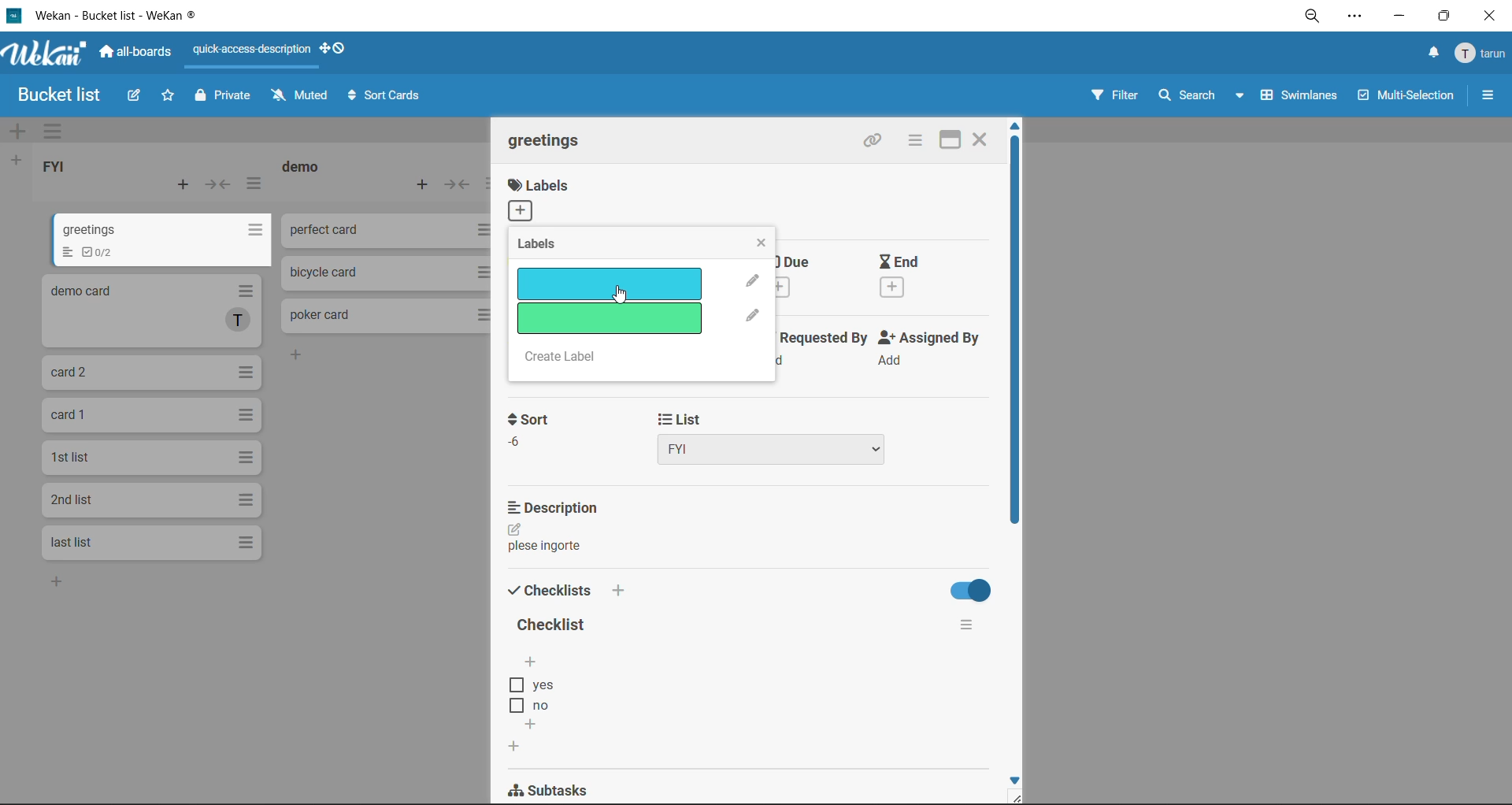 Image resolution: width=1512 pixels, height=805 pixels. Describe the element at coordinates (623, 299) in the screenshot. I see `cursor` at that location.